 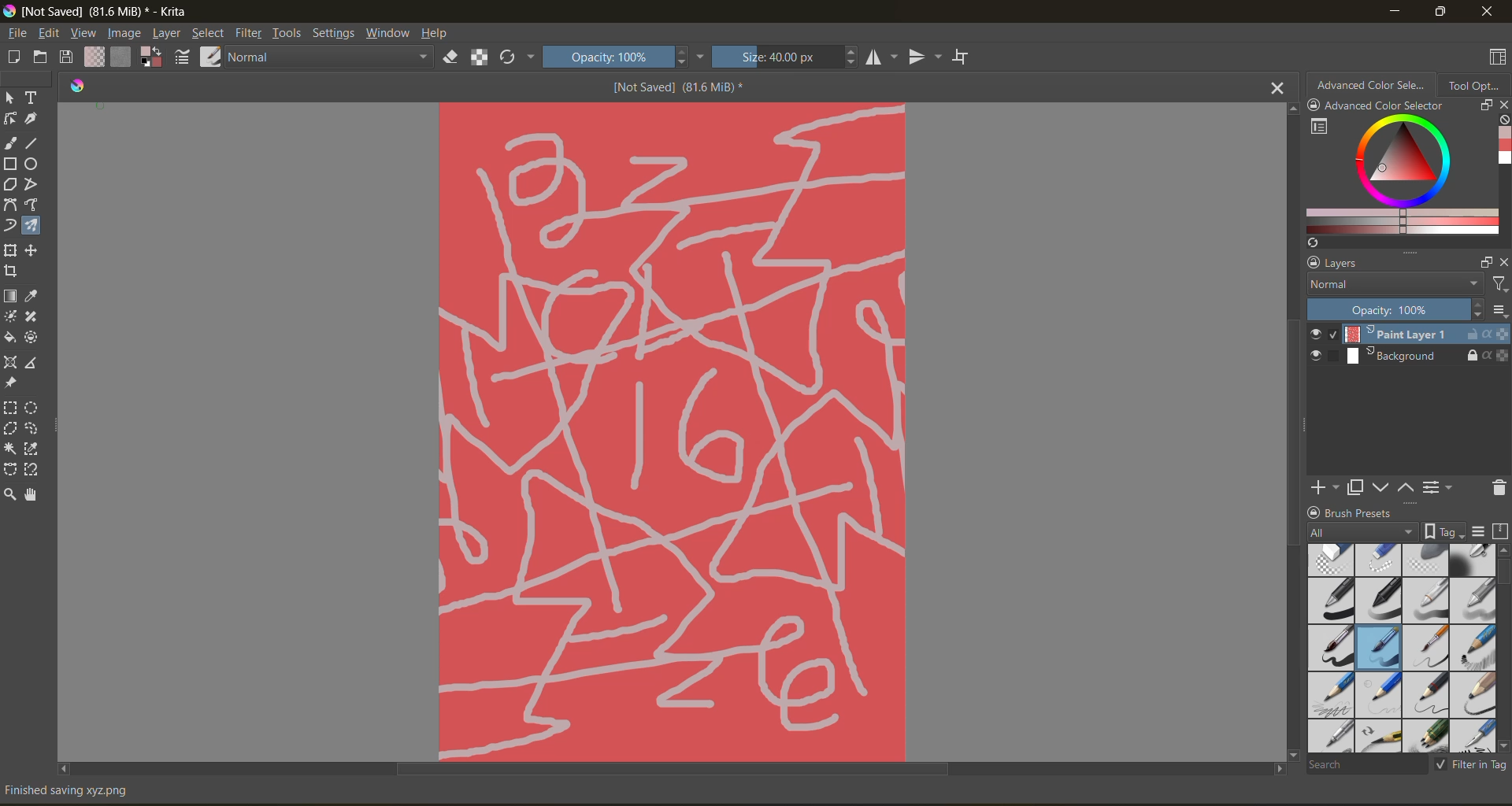 What do you see at coordinates (387, 33) in the screenshot?
I see `window` at bounding box center [387, 33].